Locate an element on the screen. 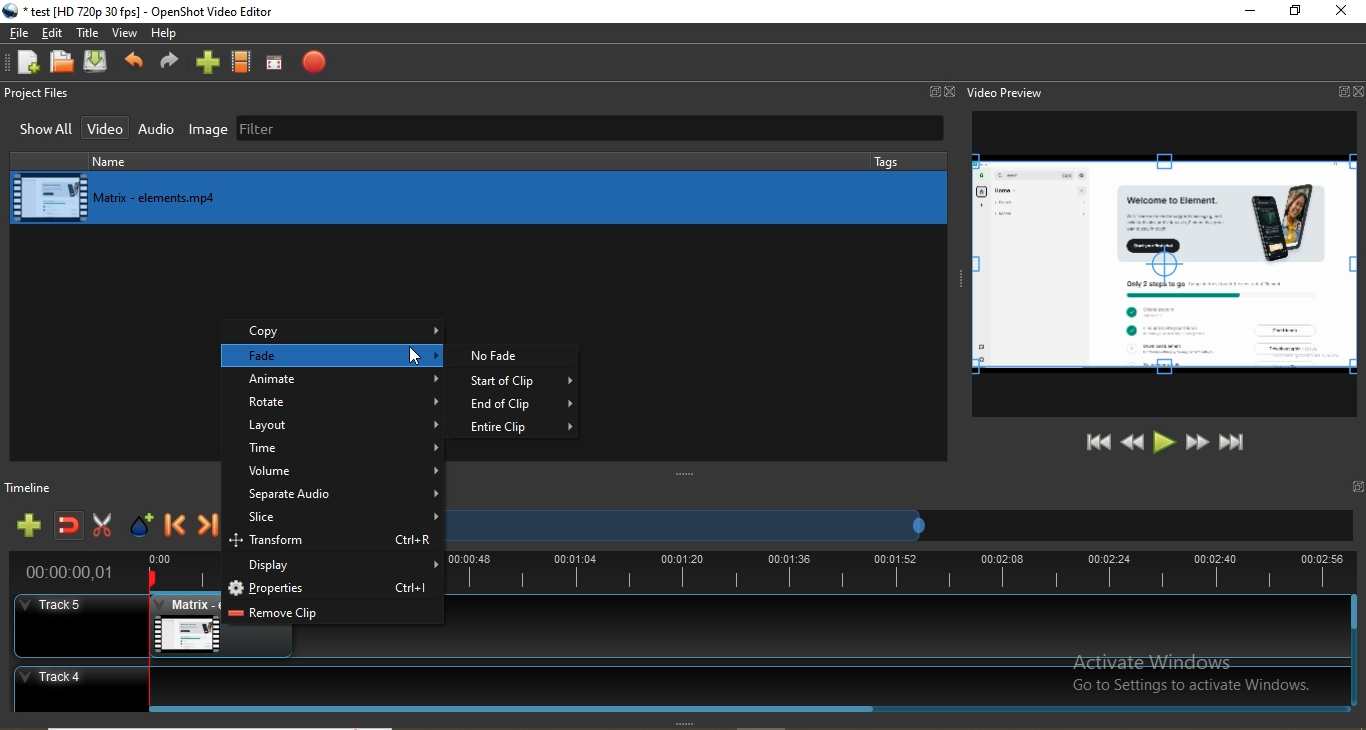  Vertical Scroll bar  is located at coordinates (1357, 652).